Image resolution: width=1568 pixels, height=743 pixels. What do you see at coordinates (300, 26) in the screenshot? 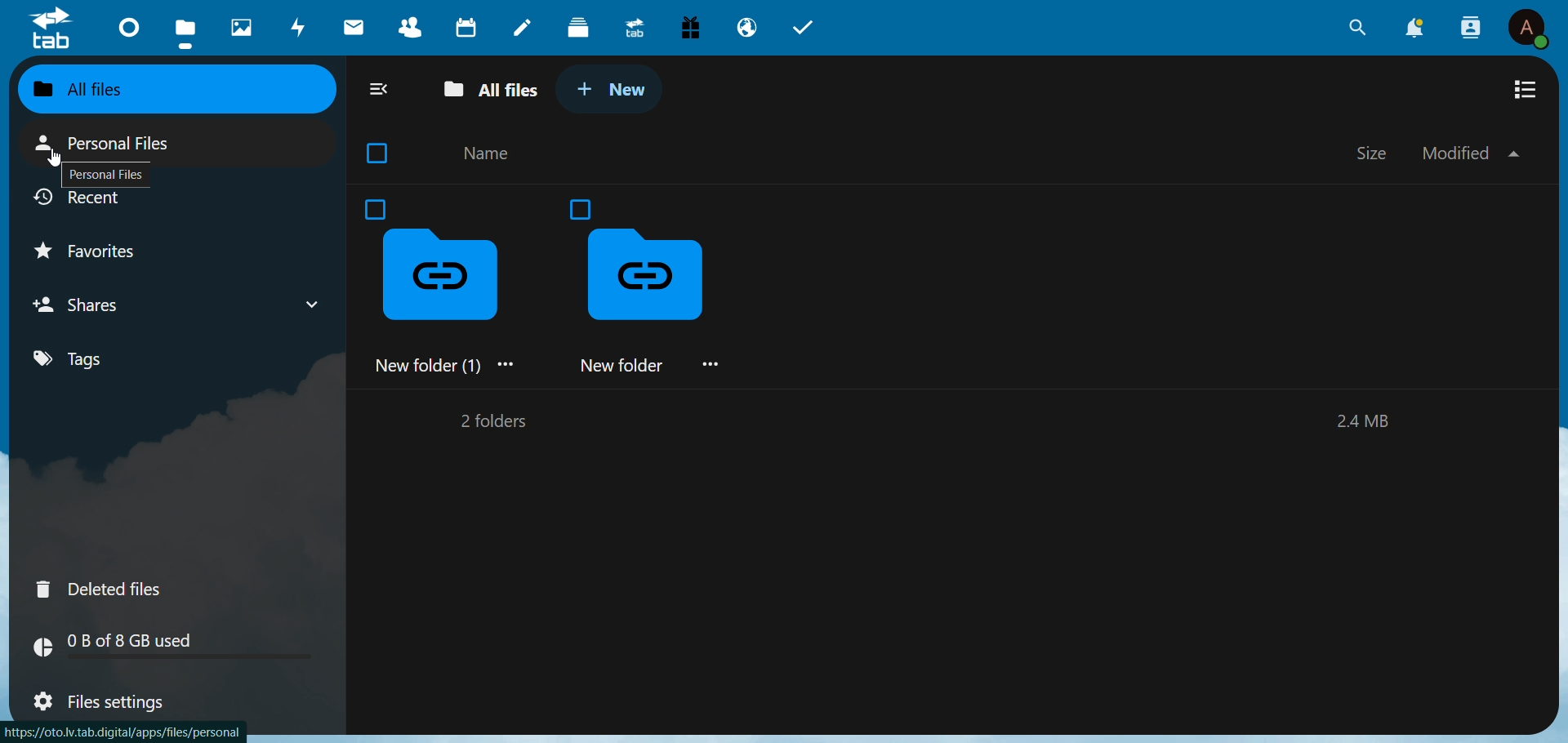
I see `actiivity` at bounding box center [300, 26].